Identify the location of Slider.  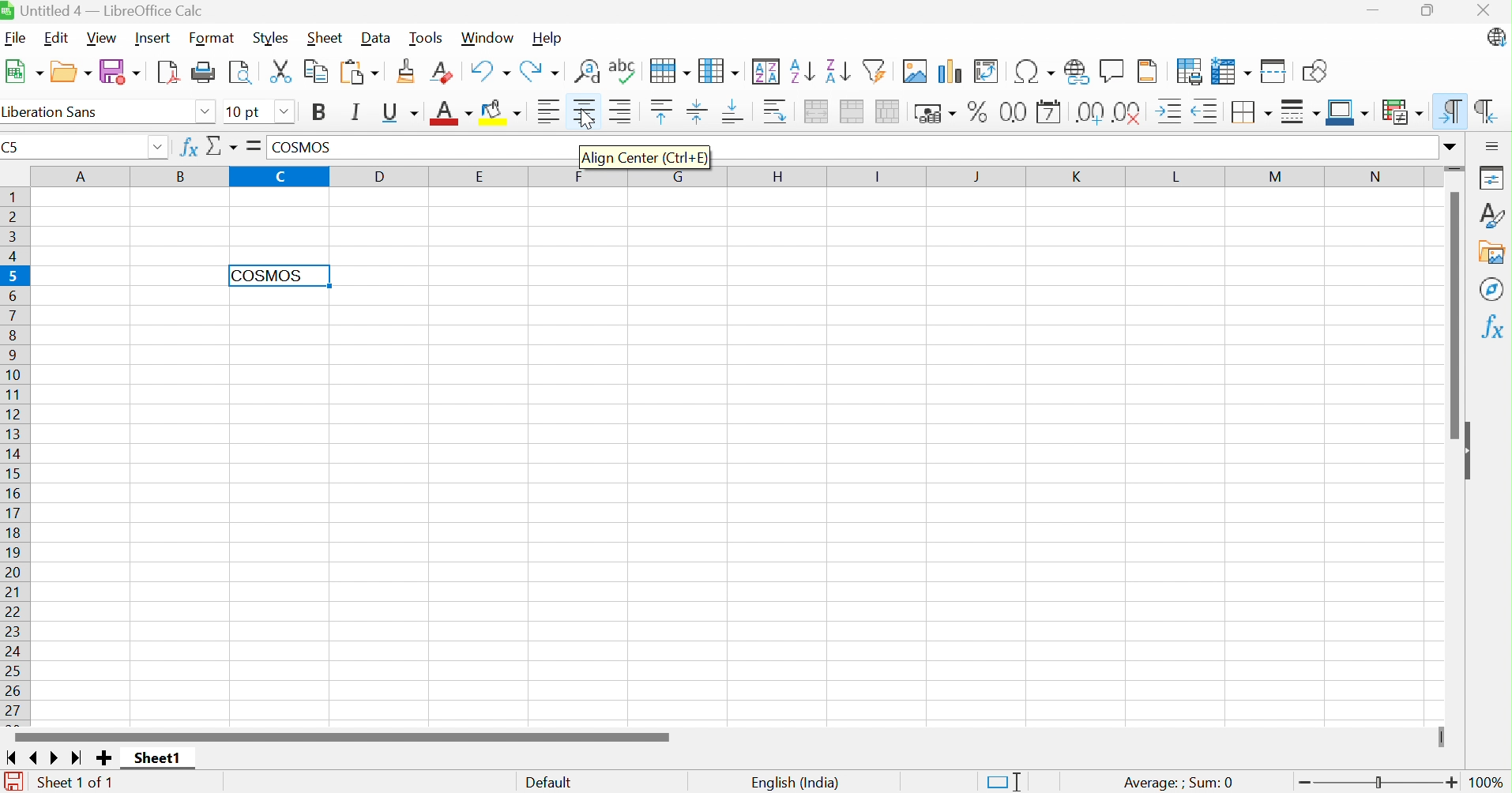
(1445, 738).